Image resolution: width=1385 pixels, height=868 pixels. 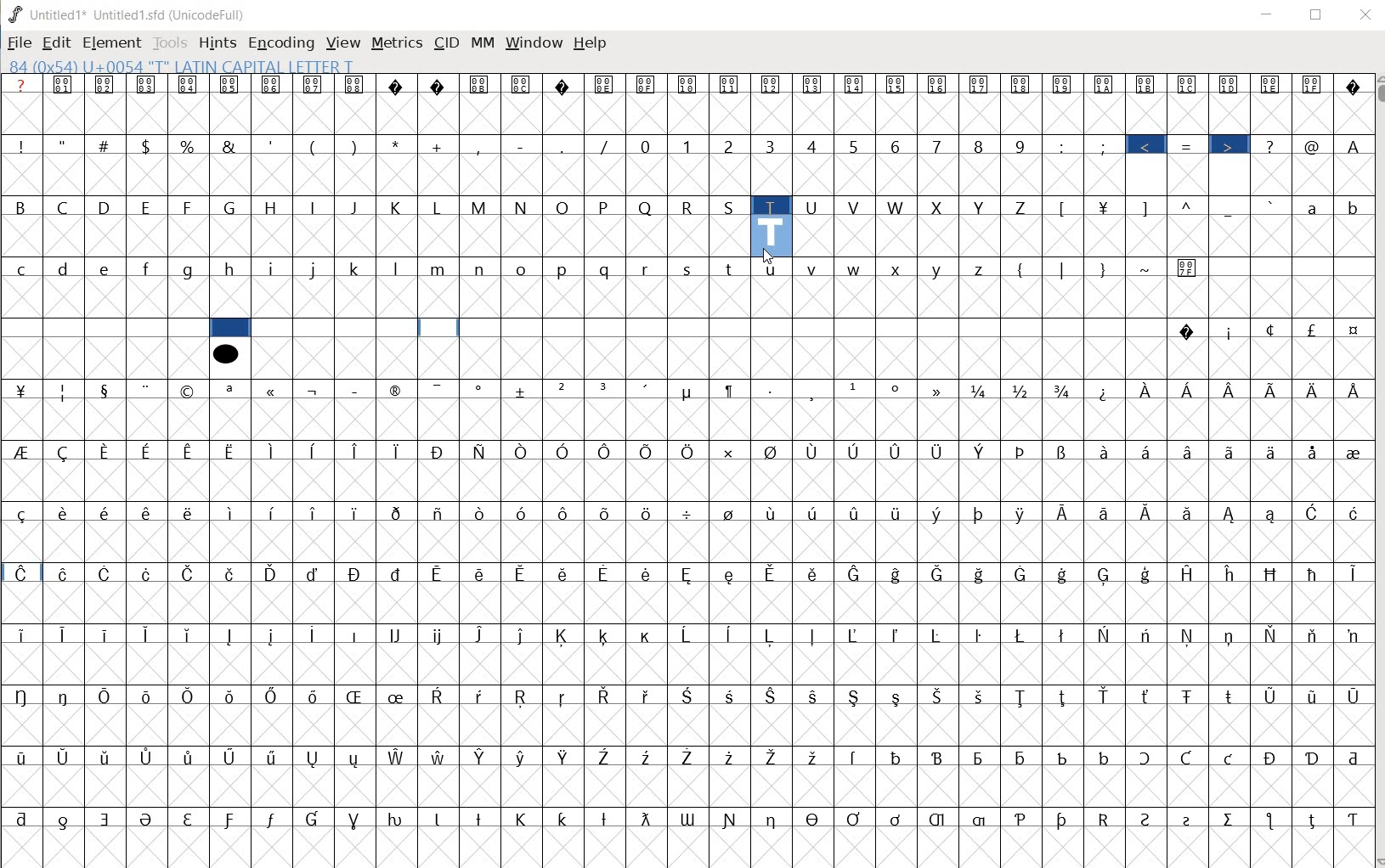 What do you see at coordinates (483, 635) in the screenshot?
I see `Symbol` at bounding box center [483, 635].